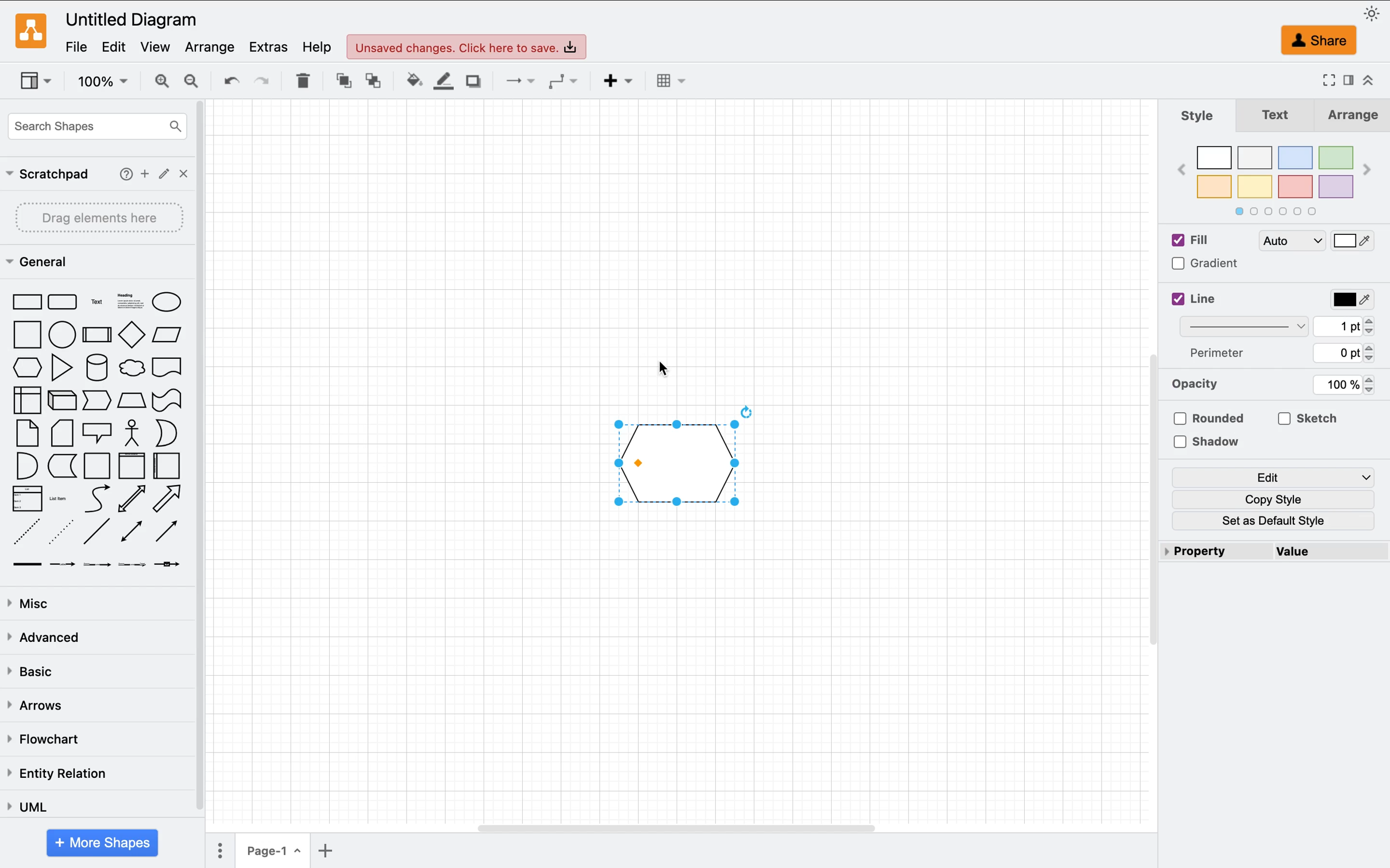  What do you see at coordinates (31, 31) in the screenshot?
I see `application logo` at bounding box center [31, 31].